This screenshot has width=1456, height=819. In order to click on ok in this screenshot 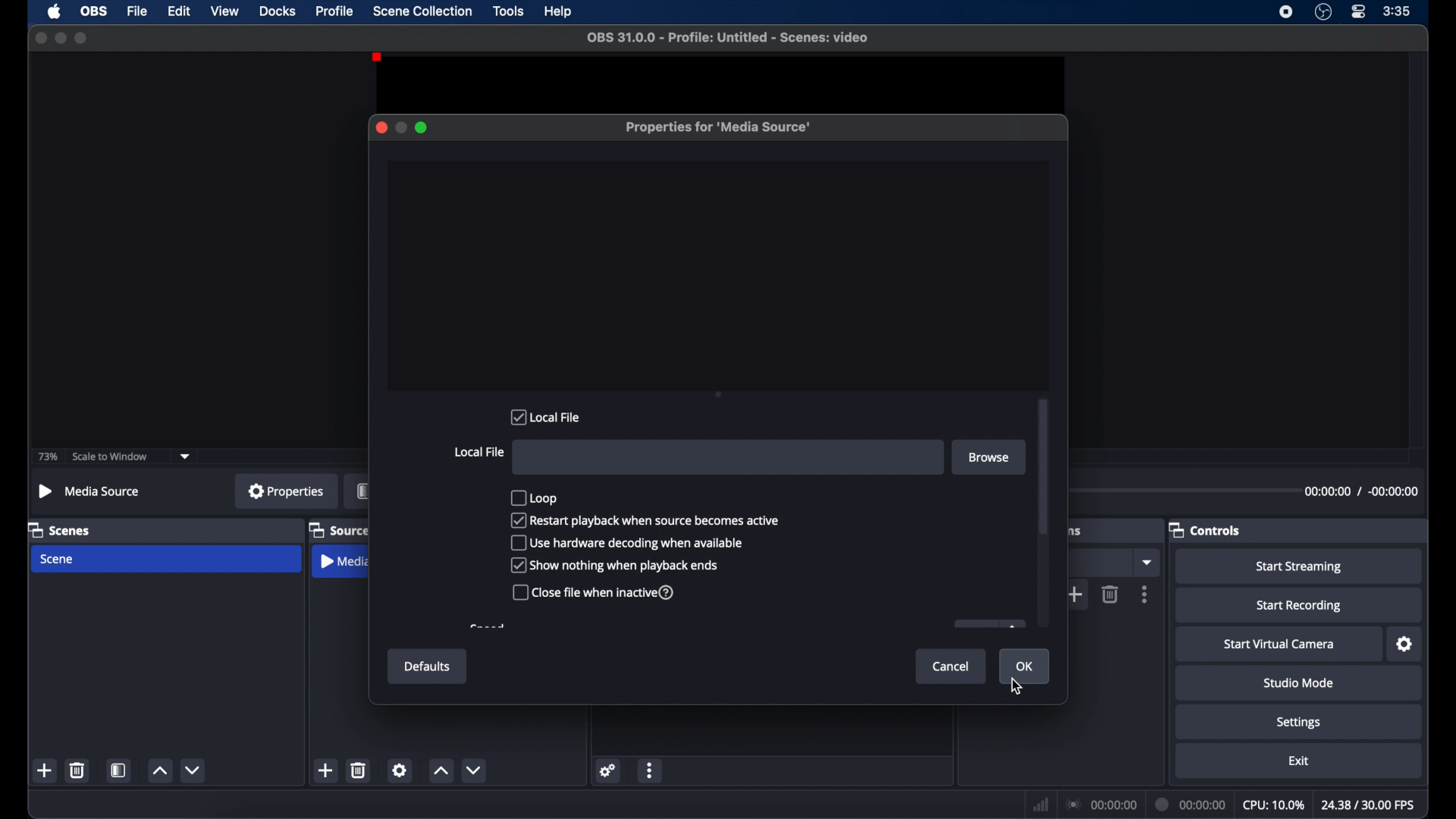, I will do `click(1025, 667)`.